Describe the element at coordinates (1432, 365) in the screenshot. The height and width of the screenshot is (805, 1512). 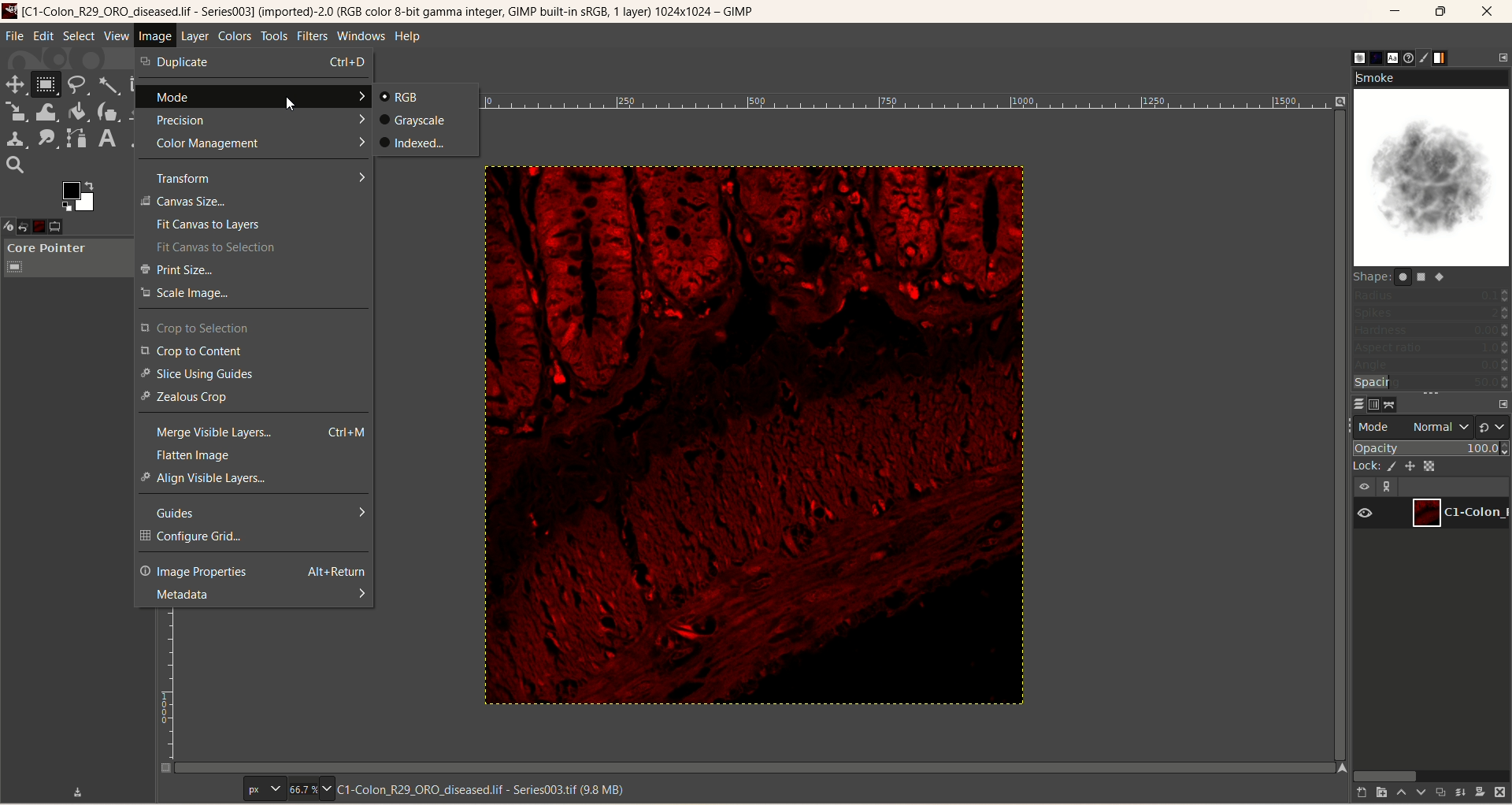
I see `angle` at that location.